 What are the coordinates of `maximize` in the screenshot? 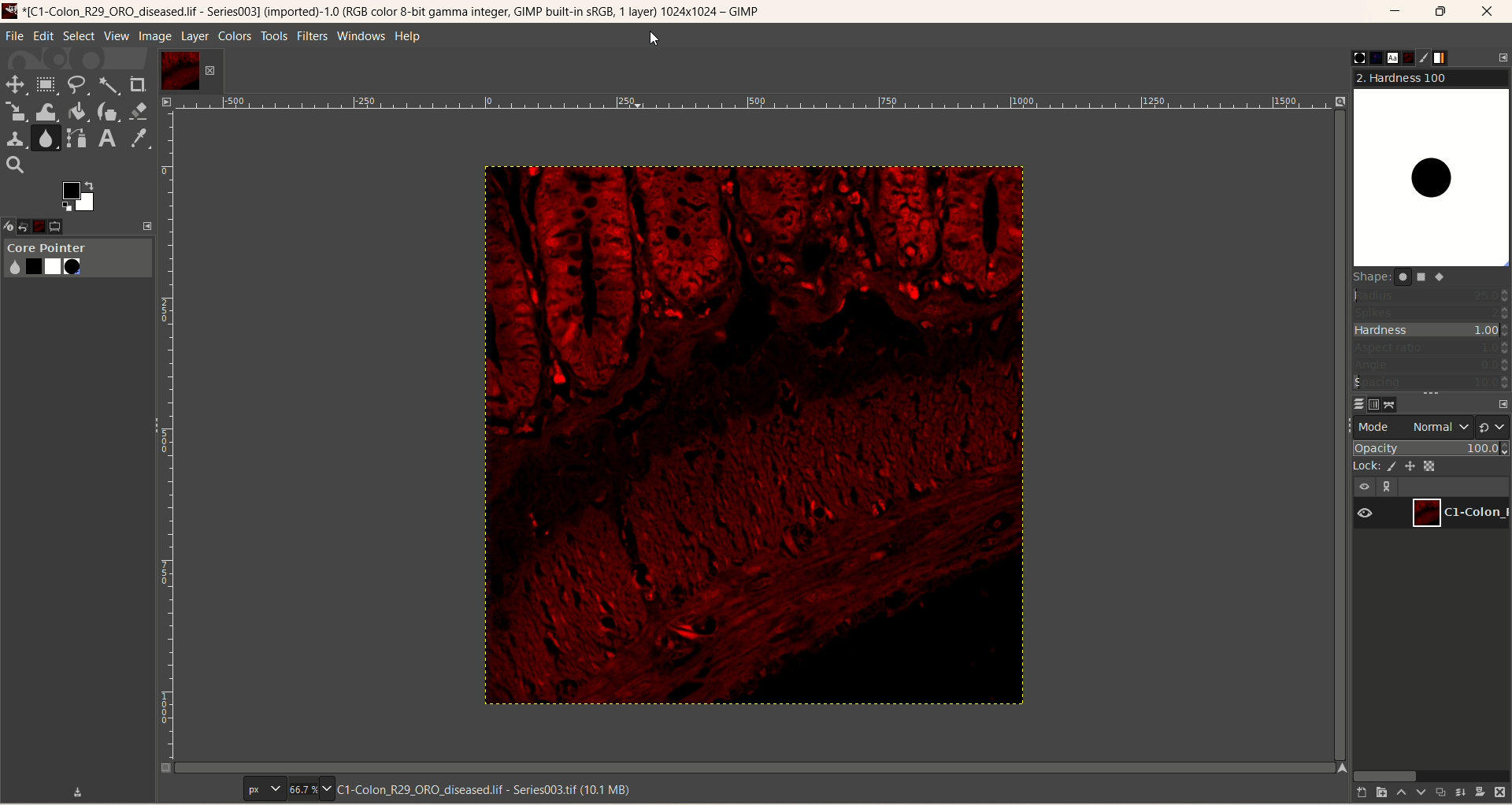 It's located at (1442, 12).